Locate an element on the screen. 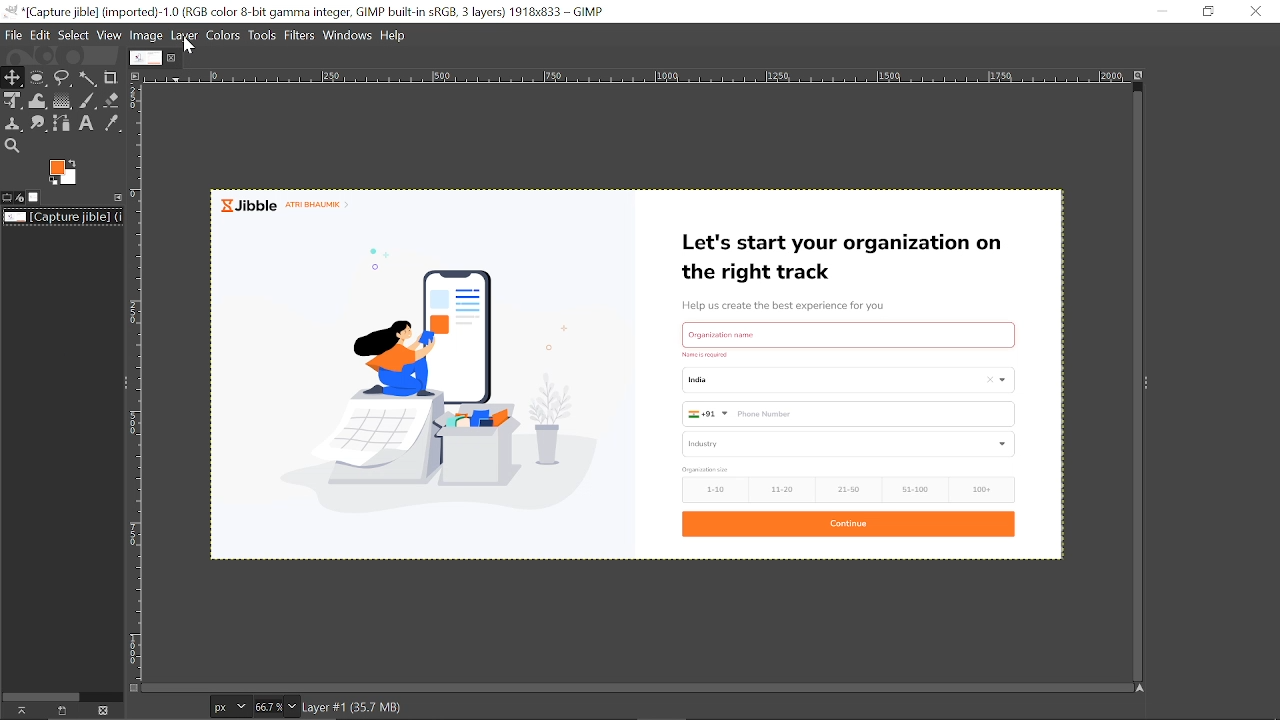  Crop tool is located at coordinates (111, 77).